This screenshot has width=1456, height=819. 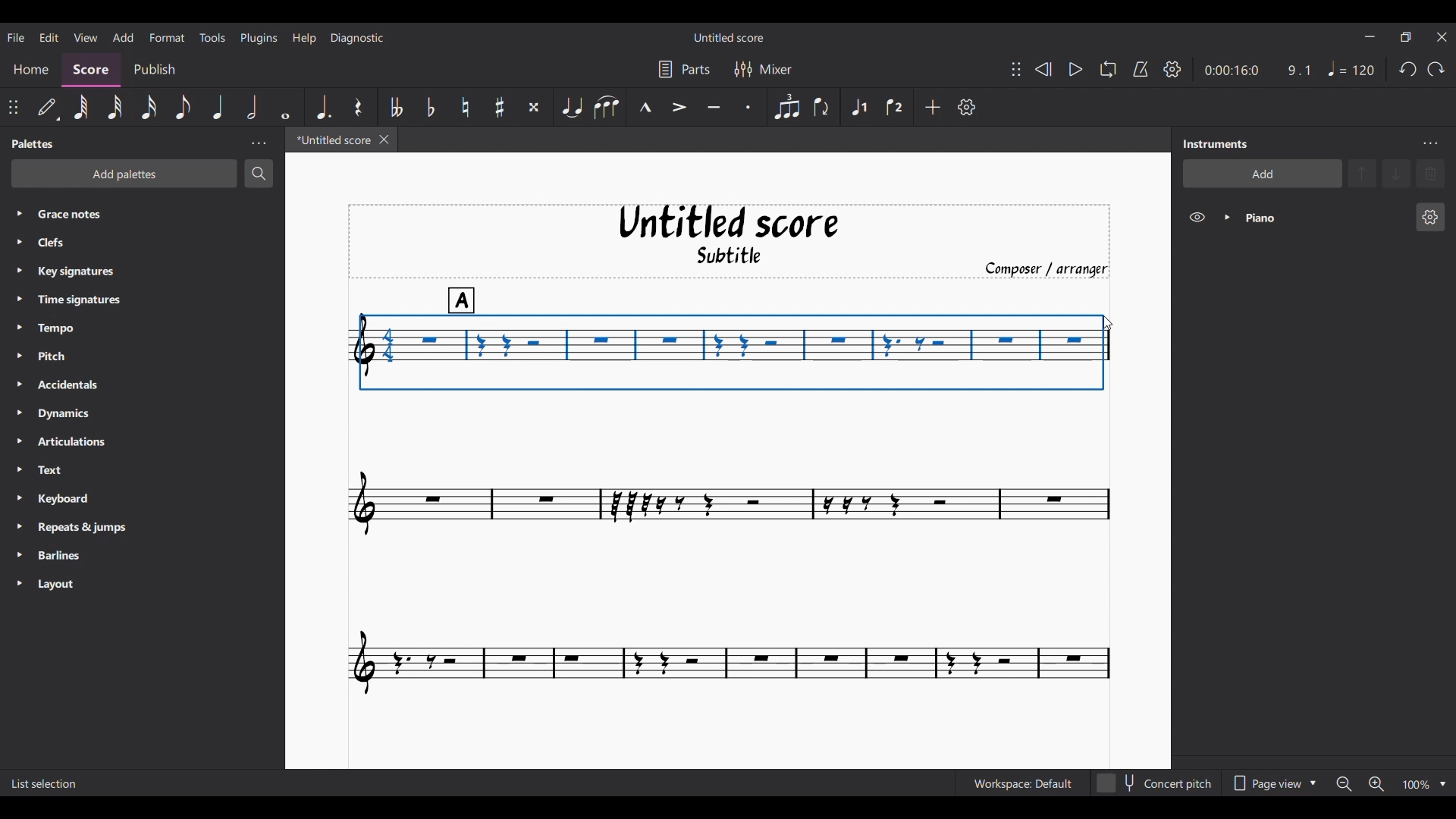 I want to click on Loop playback, so click(x=1108, y=69).